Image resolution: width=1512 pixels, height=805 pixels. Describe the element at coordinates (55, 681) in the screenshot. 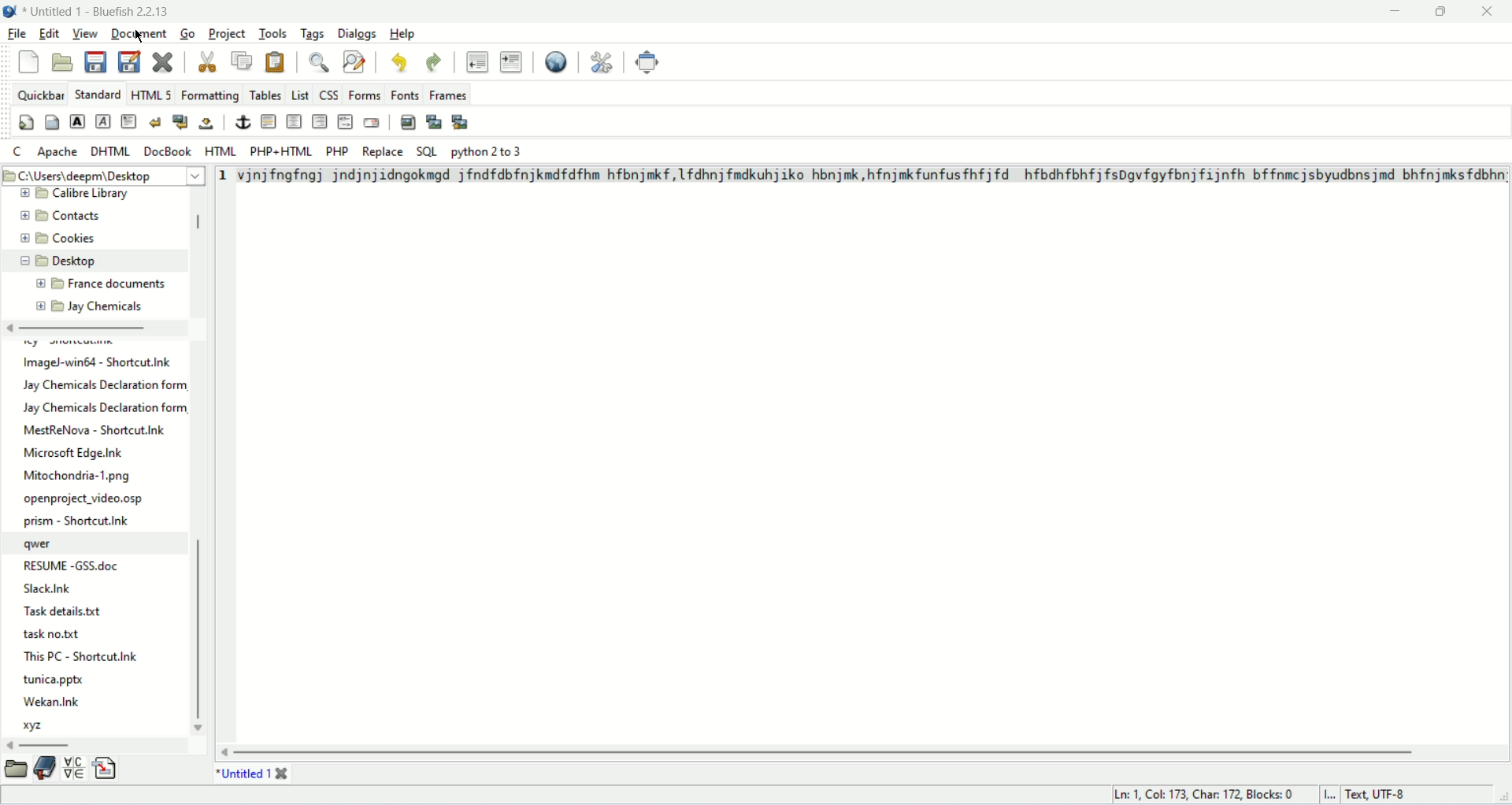

I see `tunica.pptx` at that location.